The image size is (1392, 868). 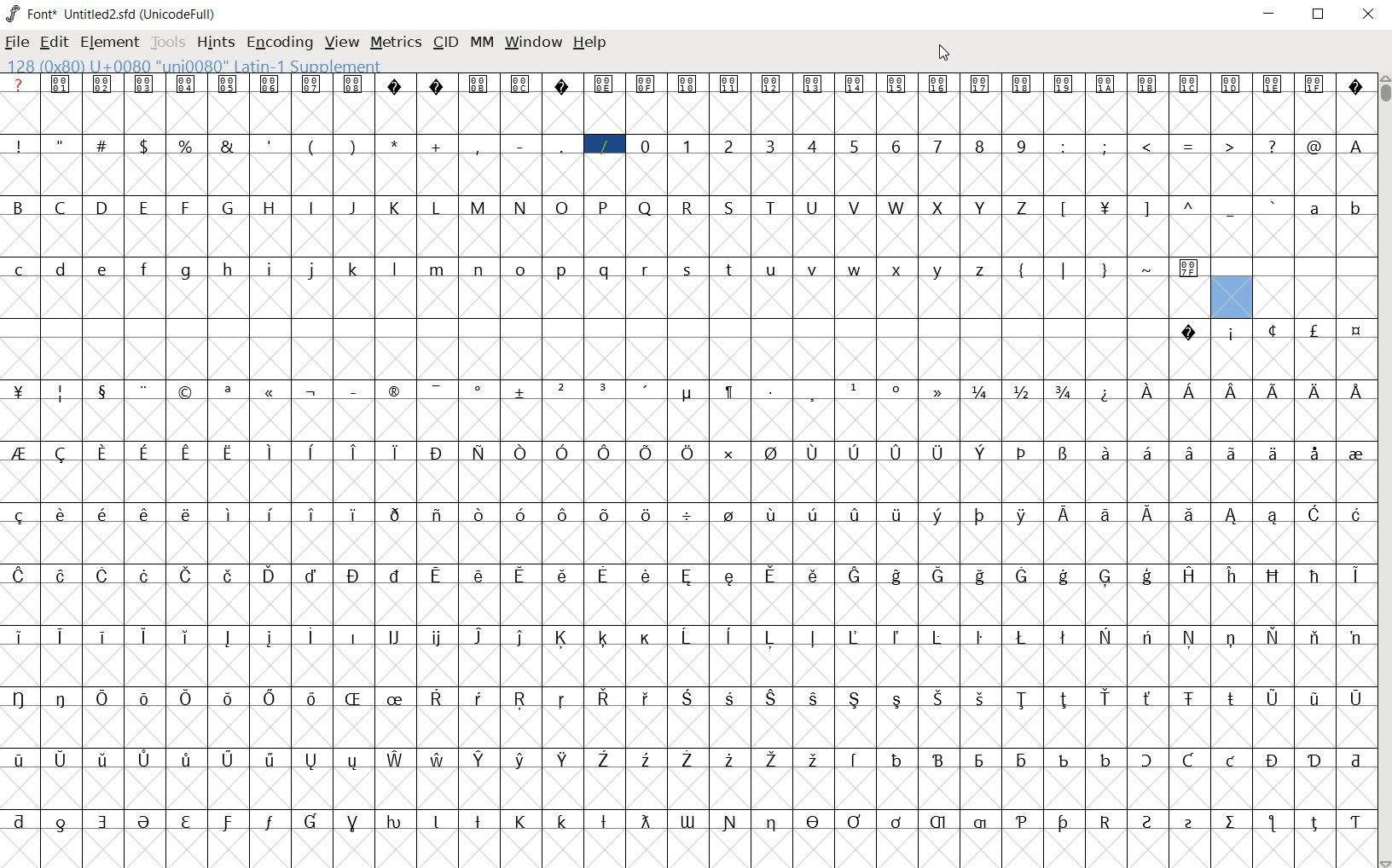 What do you see at coordinates (855, 699) in the screenshot?
I see `glyph` at bounding box center [855, 699].